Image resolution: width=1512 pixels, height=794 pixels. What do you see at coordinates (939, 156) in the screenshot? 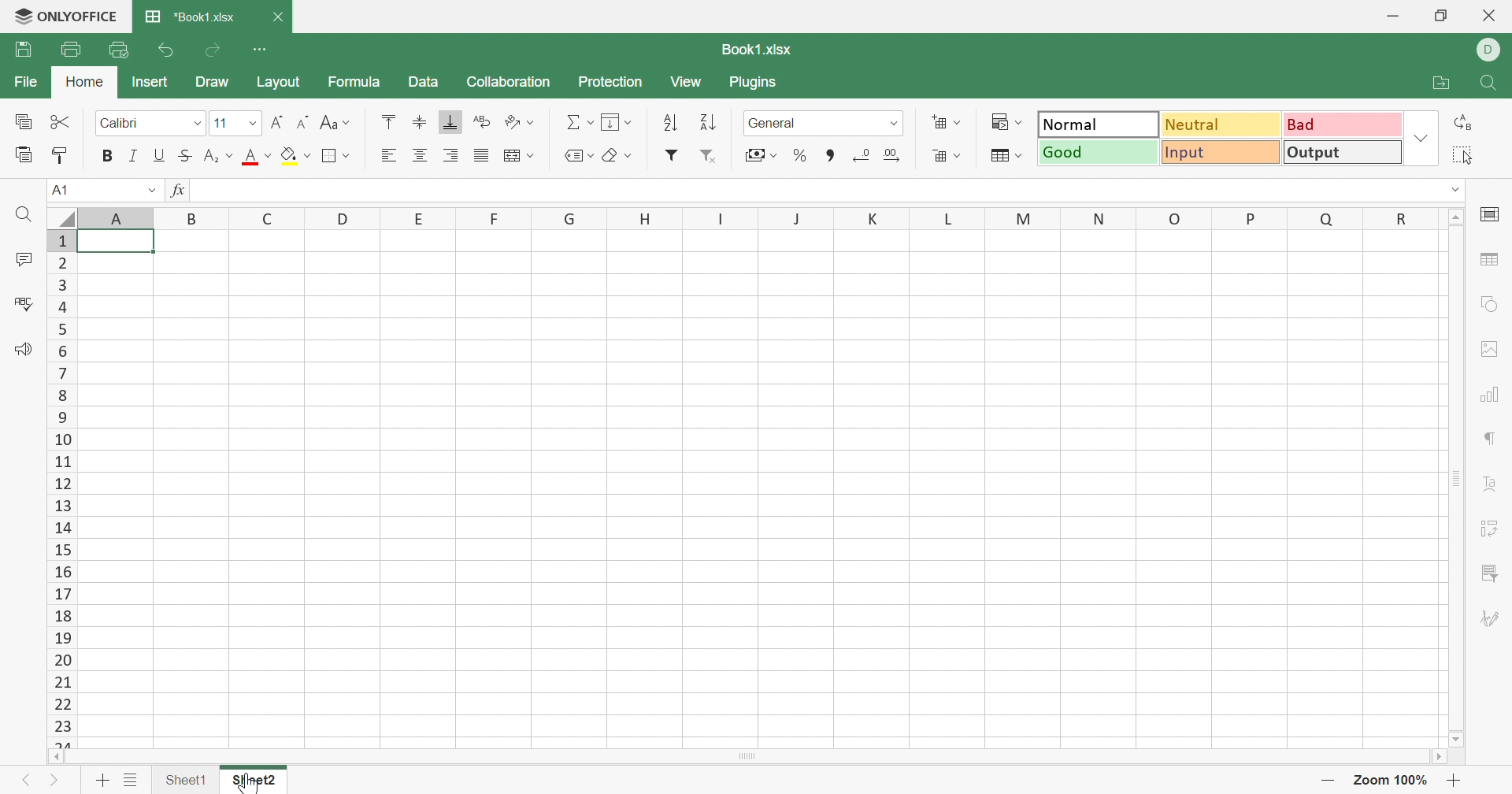
I see `Remove cells` at bounding box center [939, 156].